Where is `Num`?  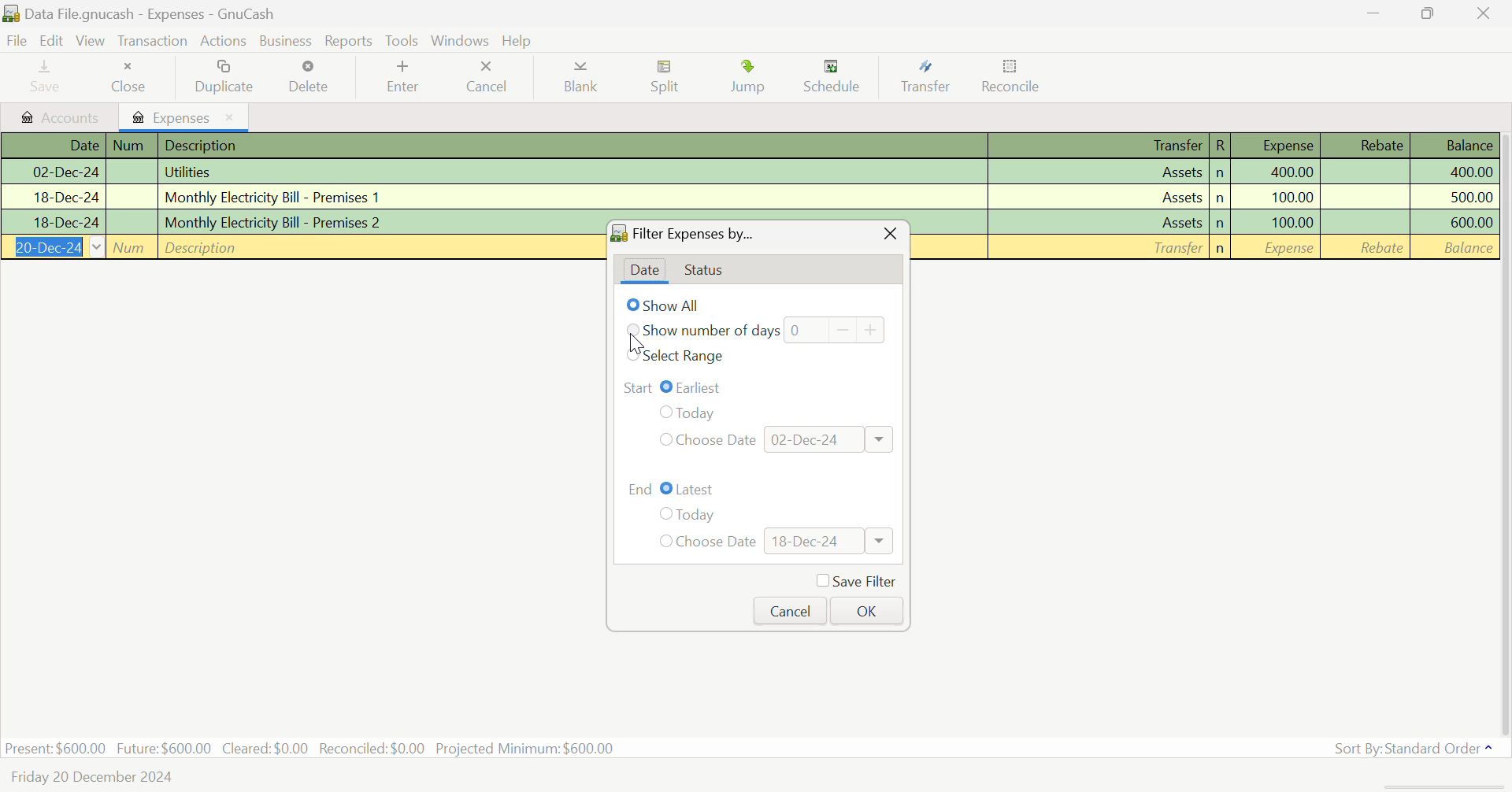 Num is located at coordinates (129, 172).